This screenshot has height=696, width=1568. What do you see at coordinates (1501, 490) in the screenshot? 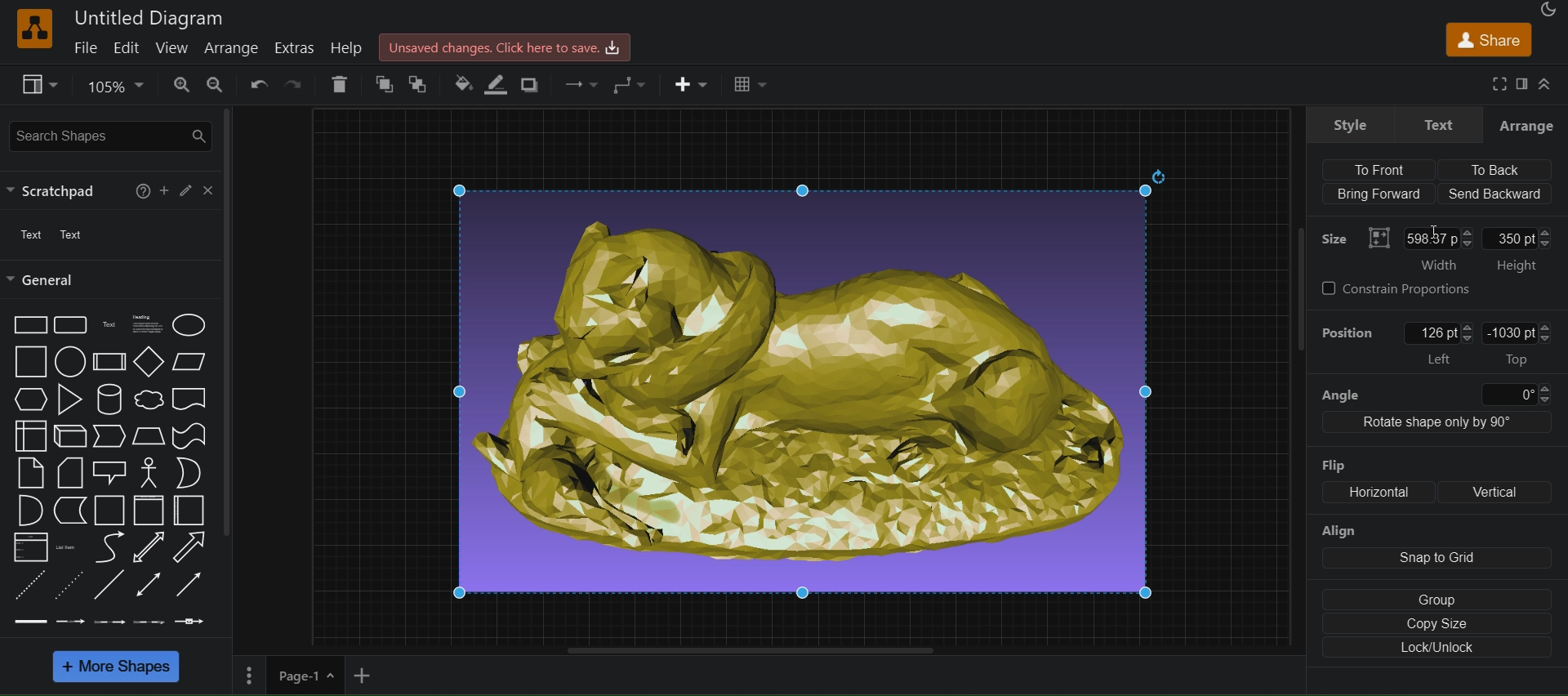
I see `Vertical` at bounding box center [1501, 490].